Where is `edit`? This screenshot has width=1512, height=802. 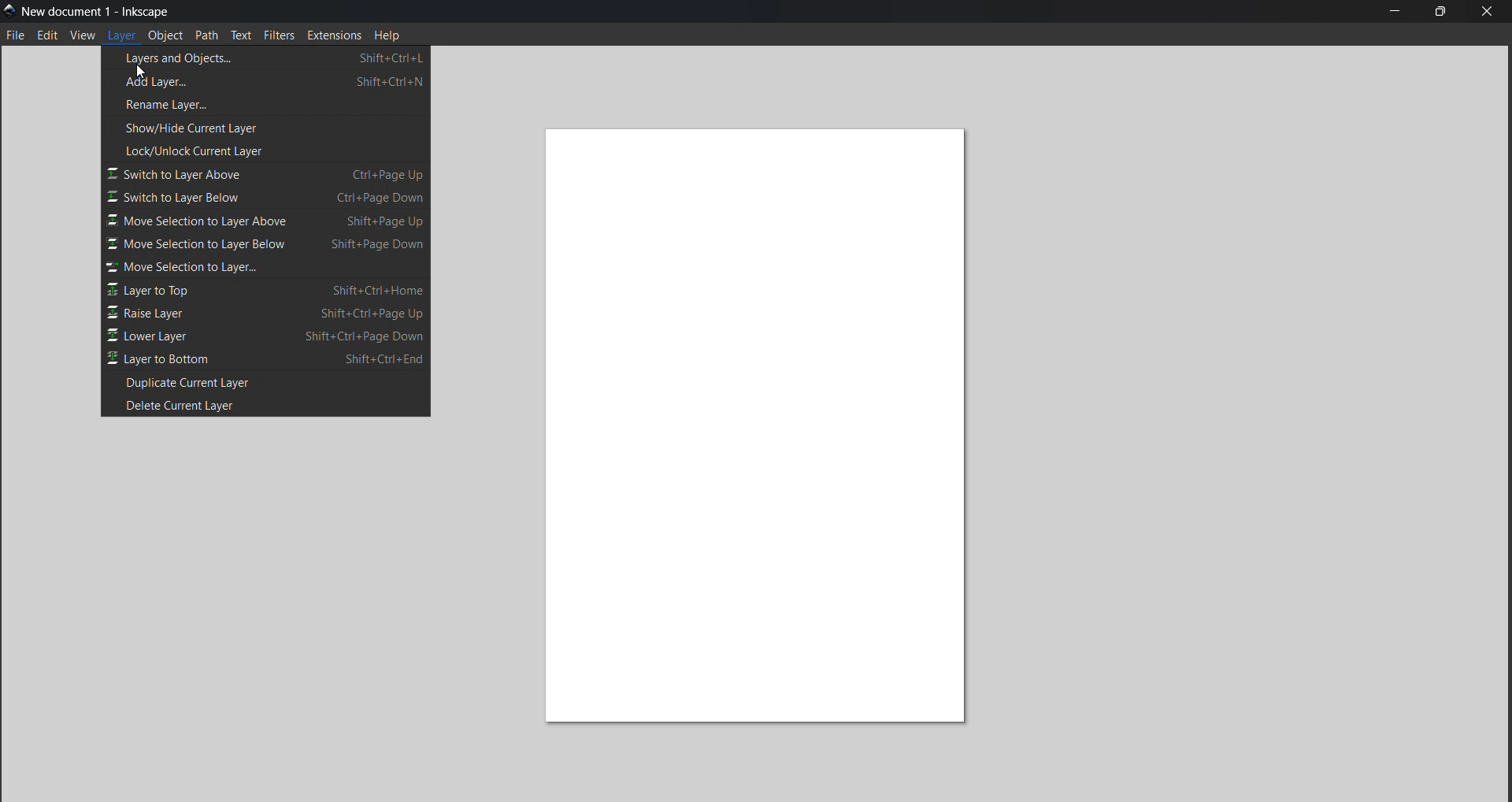 edit is located at coordinates (46, 36).